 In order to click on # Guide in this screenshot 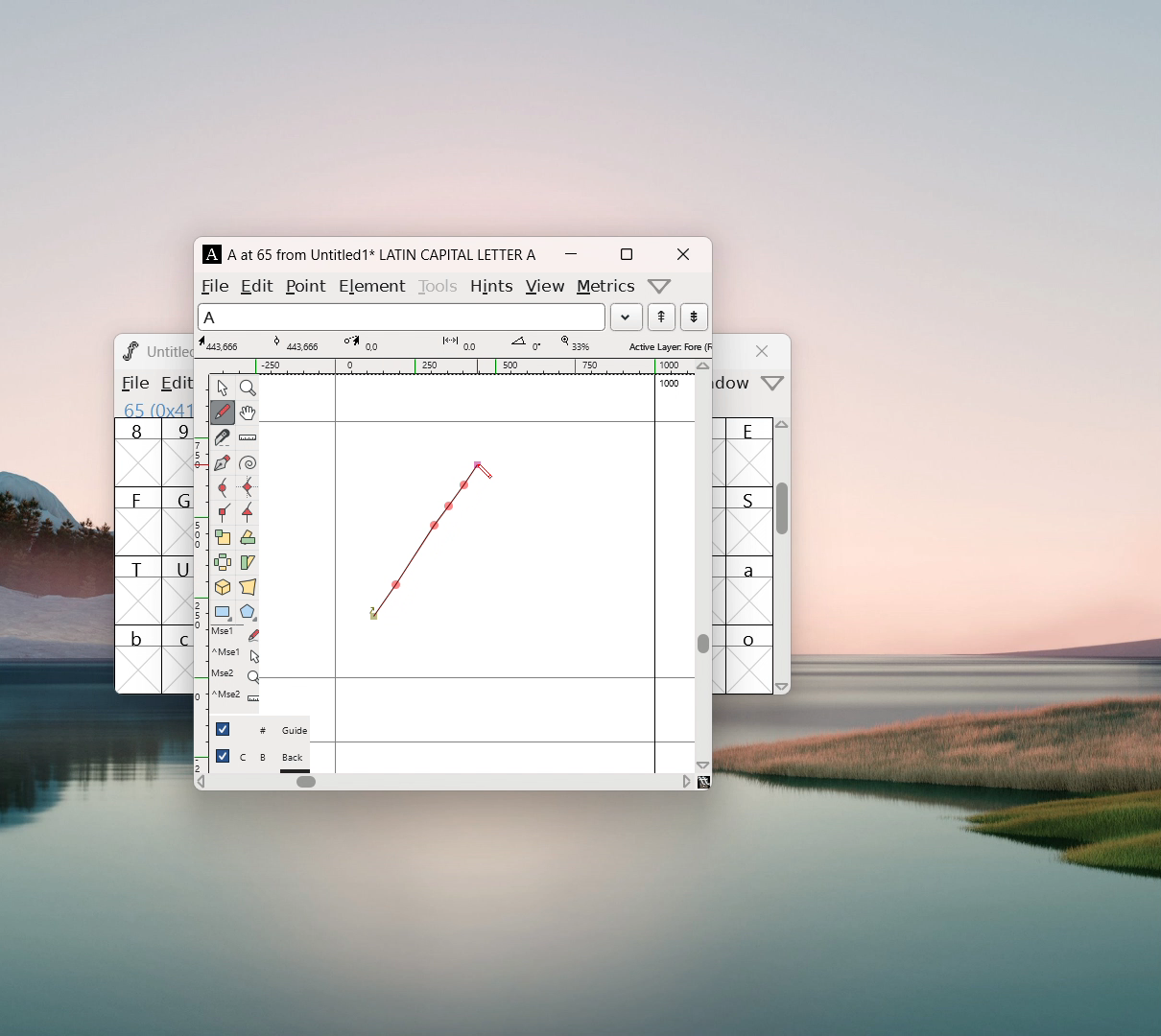, I will do `click(273, 731)`.